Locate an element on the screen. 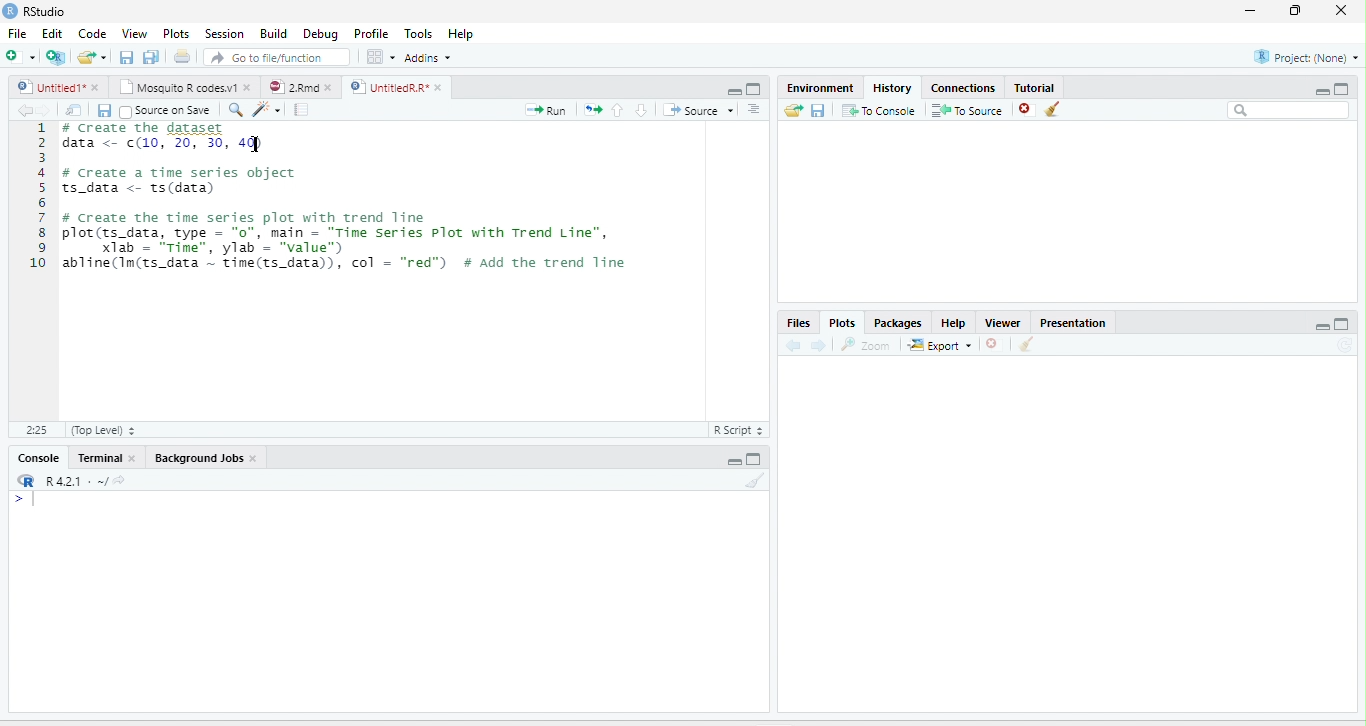  To Console is located at coordinates (878, 110).